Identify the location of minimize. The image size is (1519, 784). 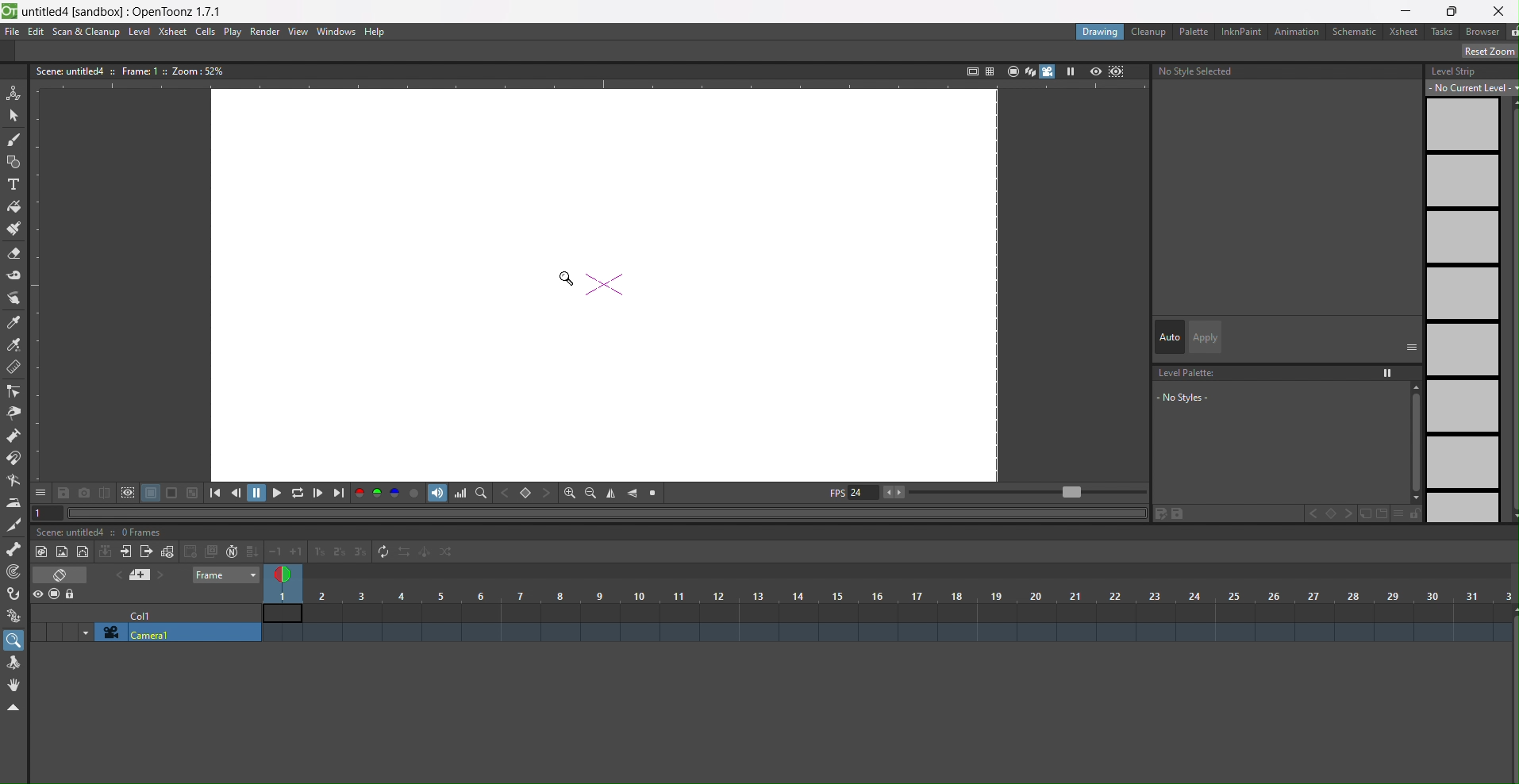
(1409, 10).